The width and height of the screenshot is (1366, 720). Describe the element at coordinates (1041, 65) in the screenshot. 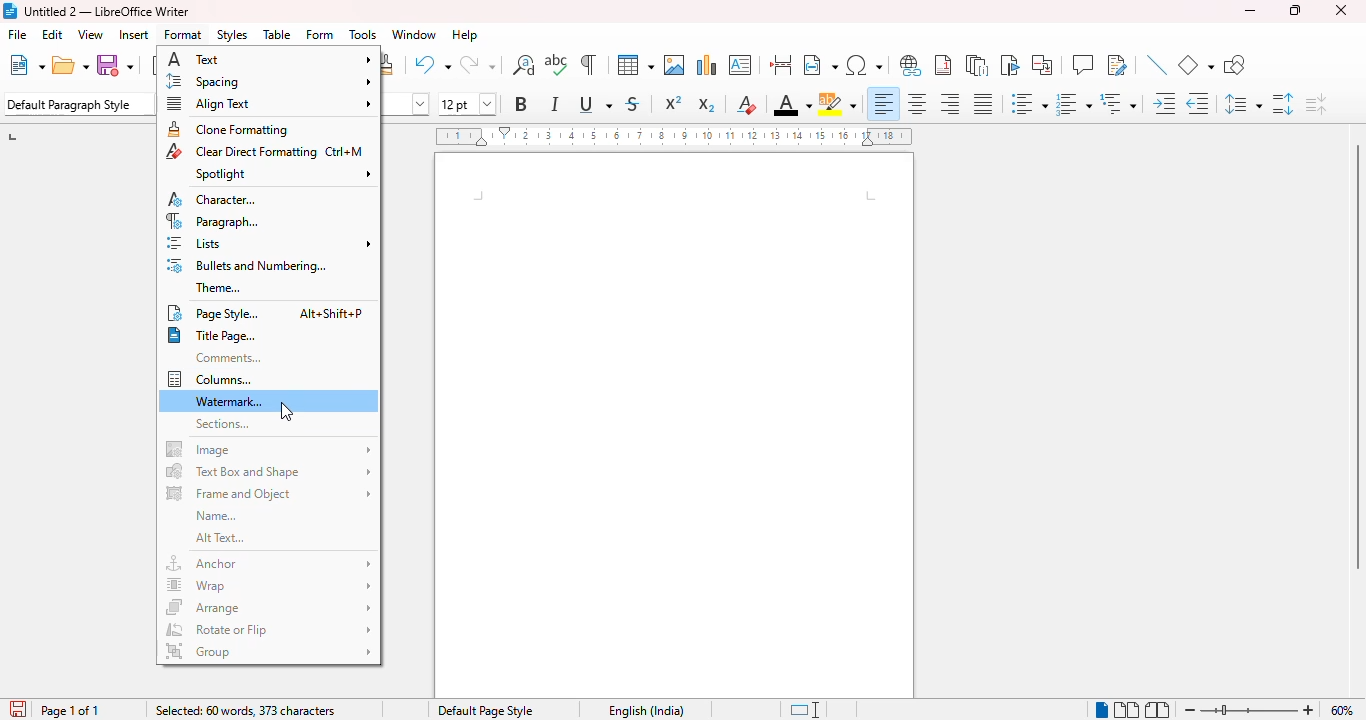

I see `insert cross-reference` at that location.